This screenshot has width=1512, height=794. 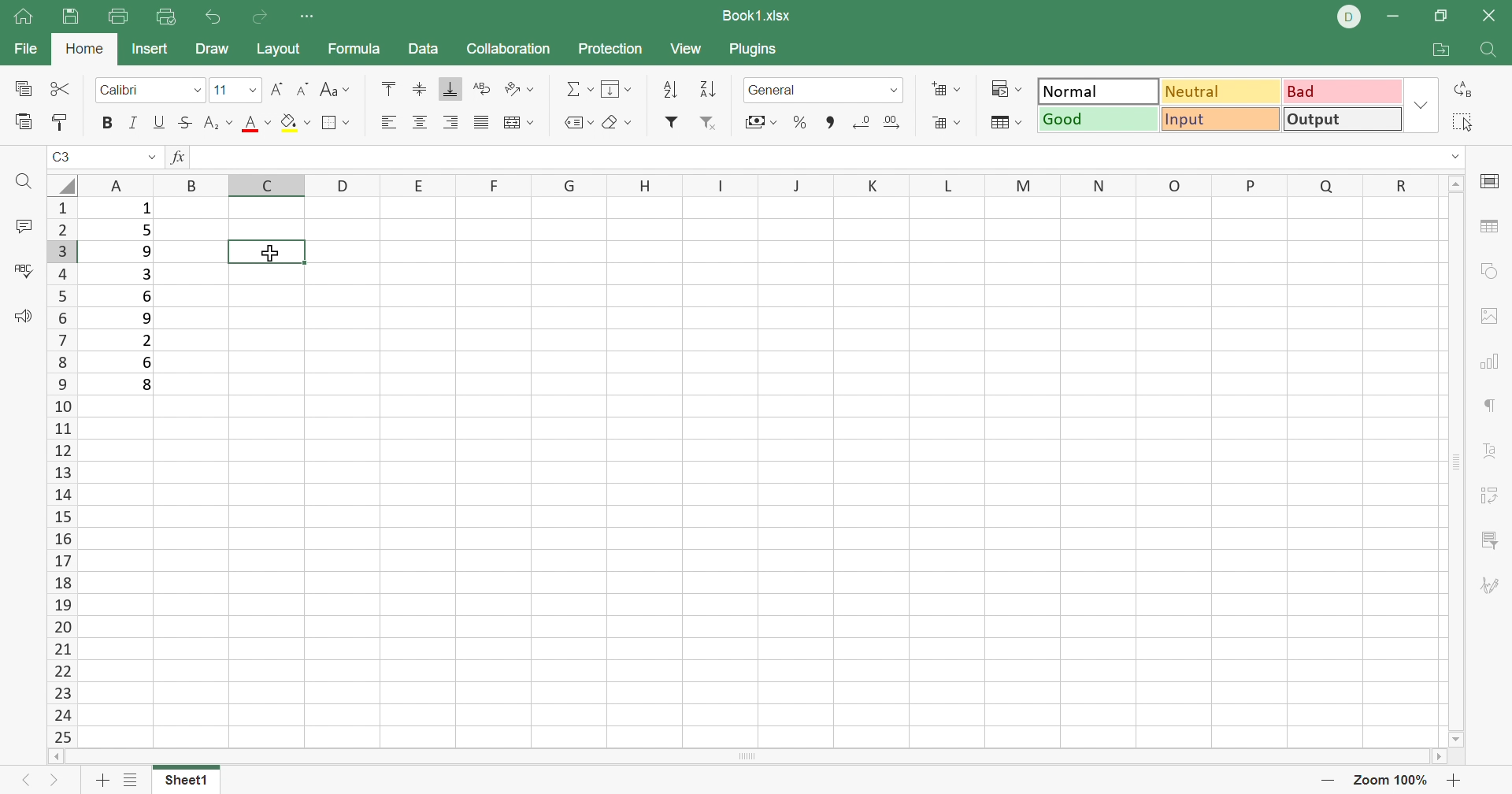 What do you see at coordinates (1390, 781) in the screenshot?
I see `Zoom out 100%` at bounding box center [1390, 781].